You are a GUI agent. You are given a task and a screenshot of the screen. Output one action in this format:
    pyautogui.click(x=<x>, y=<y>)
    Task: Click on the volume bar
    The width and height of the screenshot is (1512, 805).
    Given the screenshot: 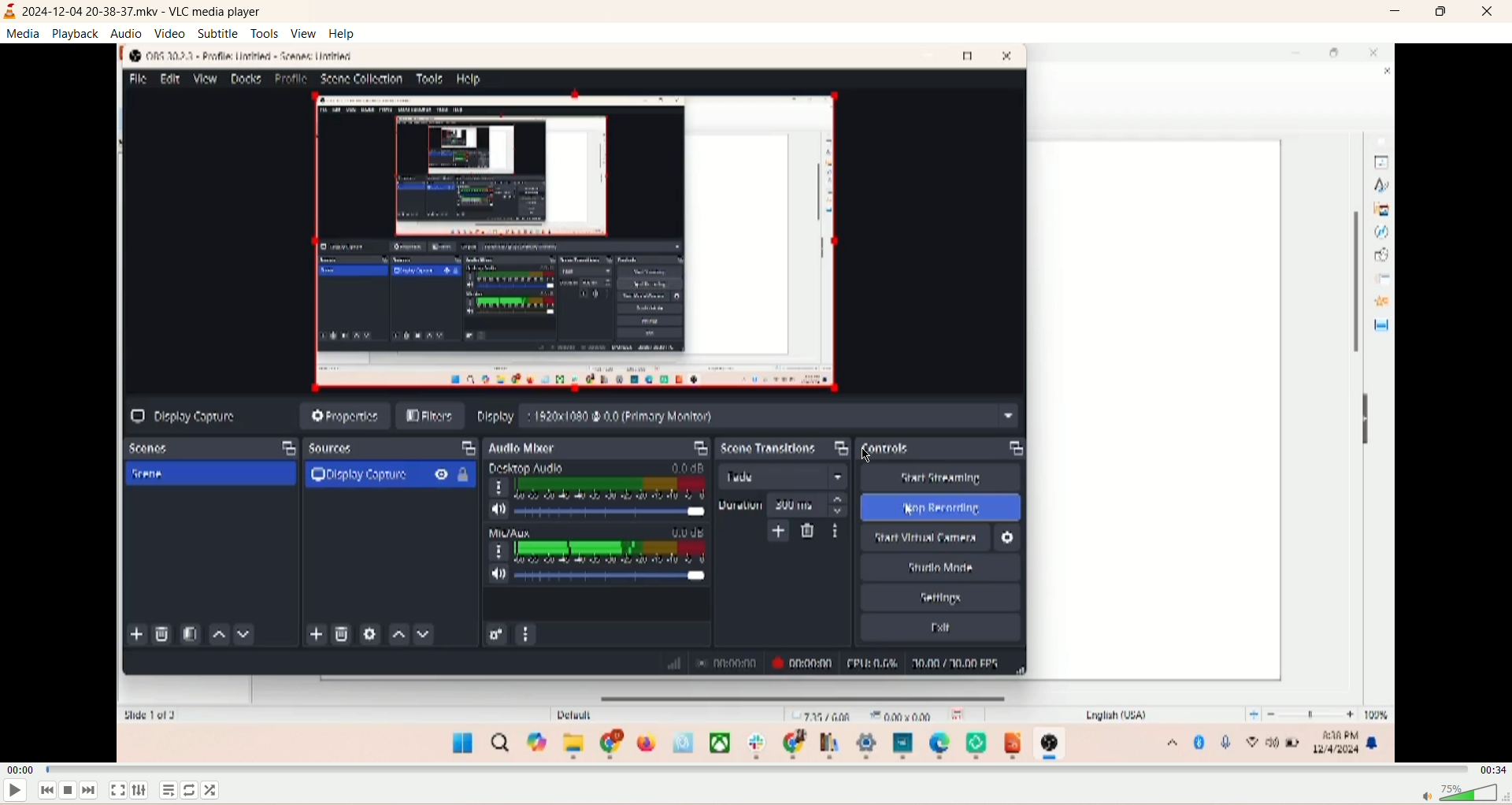 What is the action you would take?
    pyautogui.click(x=1465, y=793)
    